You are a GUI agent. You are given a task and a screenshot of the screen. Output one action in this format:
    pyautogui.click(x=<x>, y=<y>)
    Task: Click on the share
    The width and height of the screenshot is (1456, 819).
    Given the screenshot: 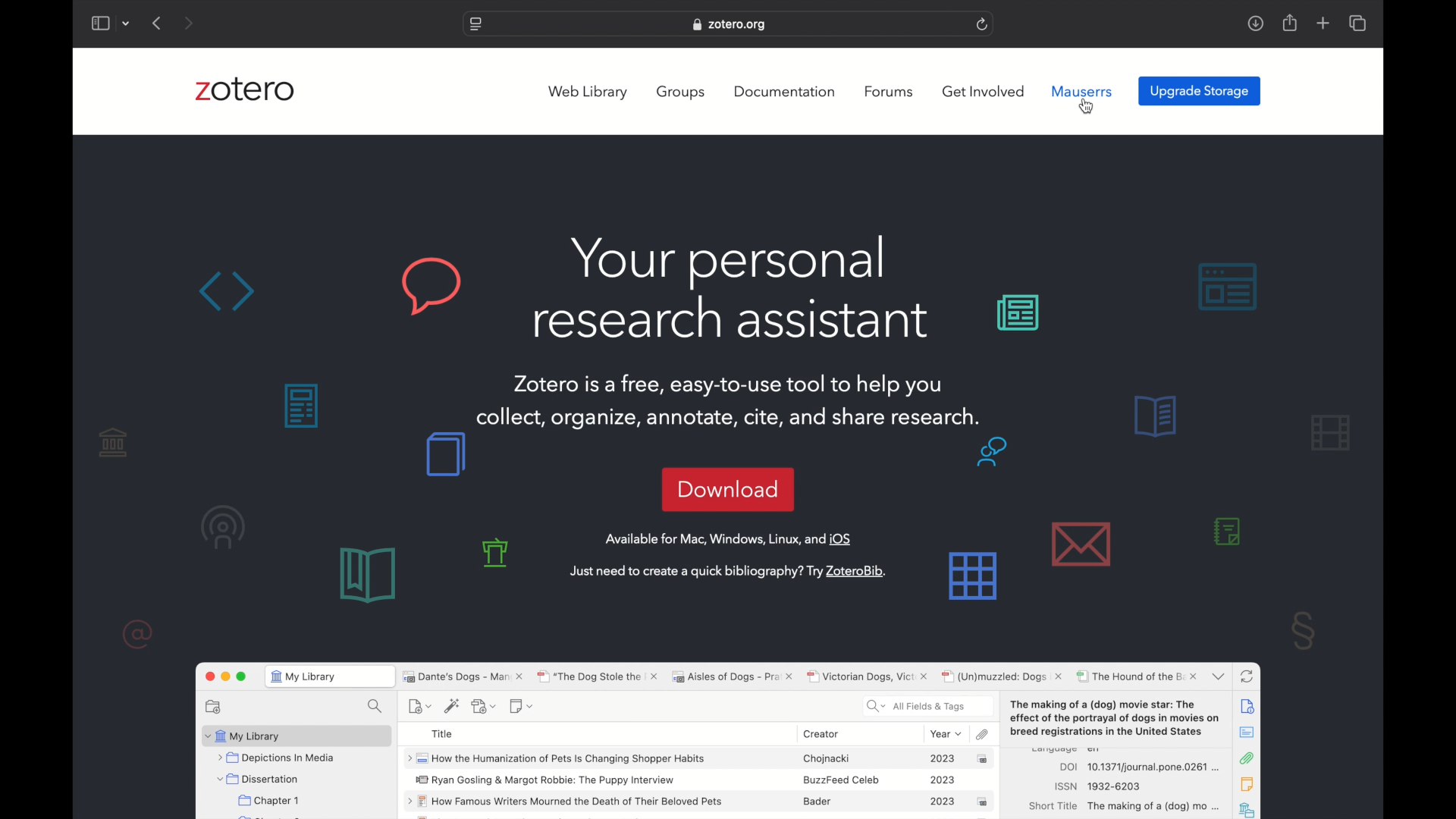 What is the action you would take?
    pyautogui.click(x=1288, y=23)
    